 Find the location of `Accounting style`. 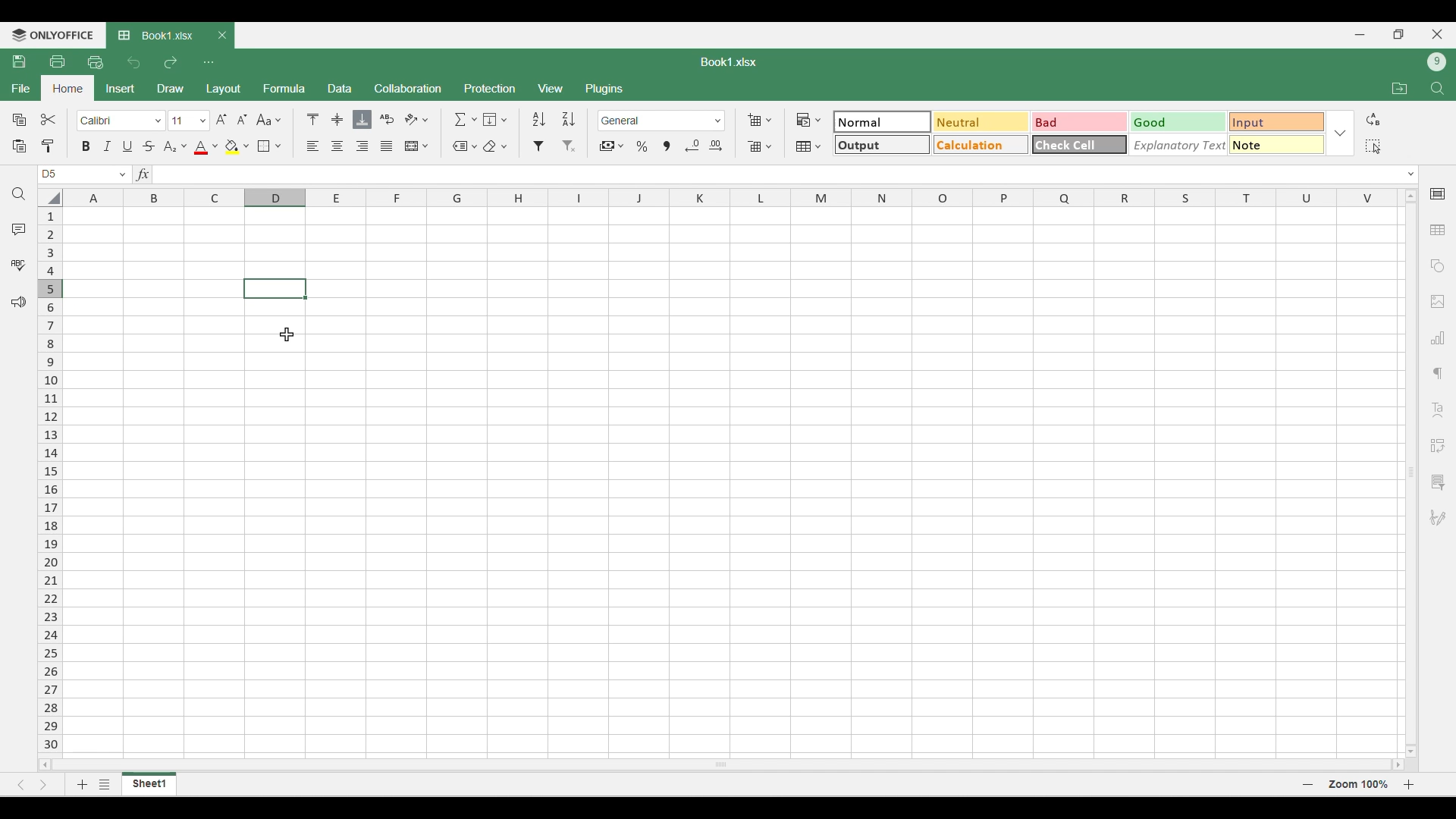

Accounting style is located at coordinates (613, 146).